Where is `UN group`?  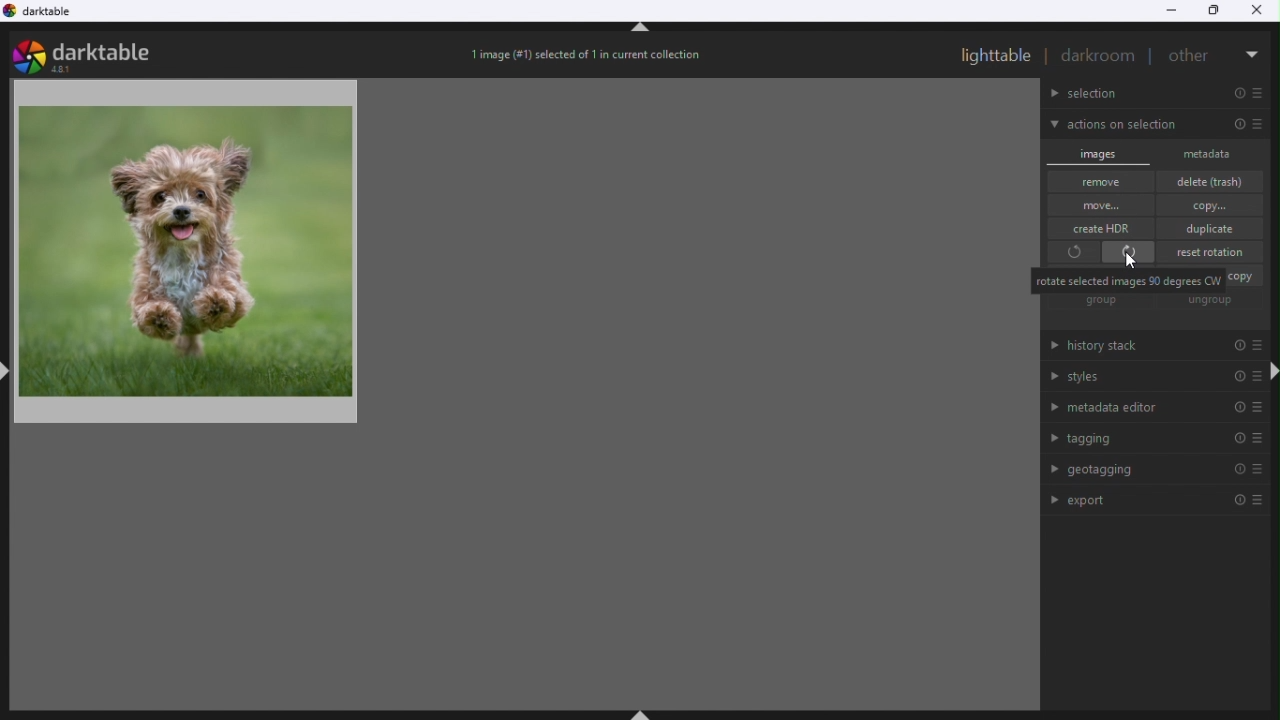
UN group is located at coordinates (1214, 302).